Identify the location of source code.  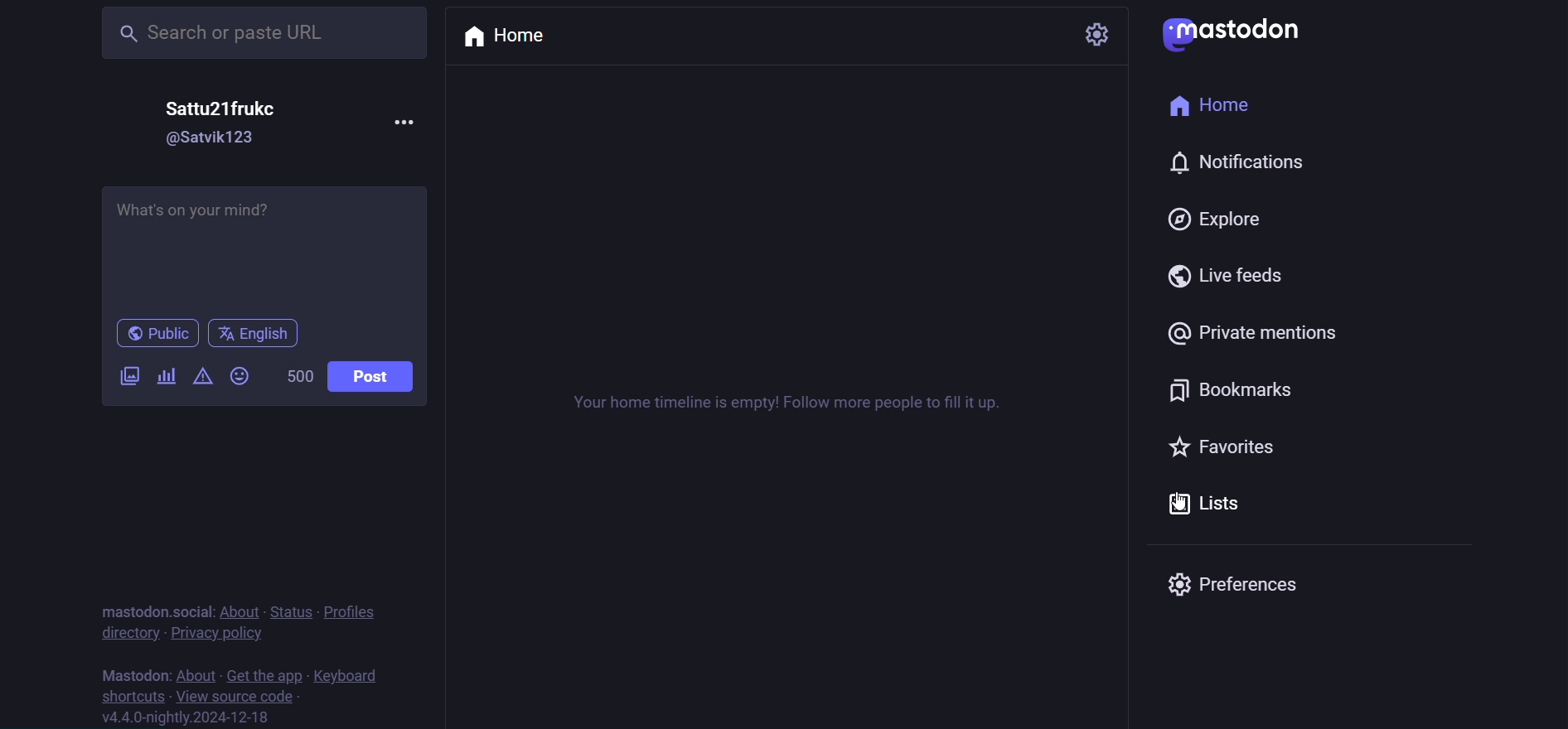
(236, 695).